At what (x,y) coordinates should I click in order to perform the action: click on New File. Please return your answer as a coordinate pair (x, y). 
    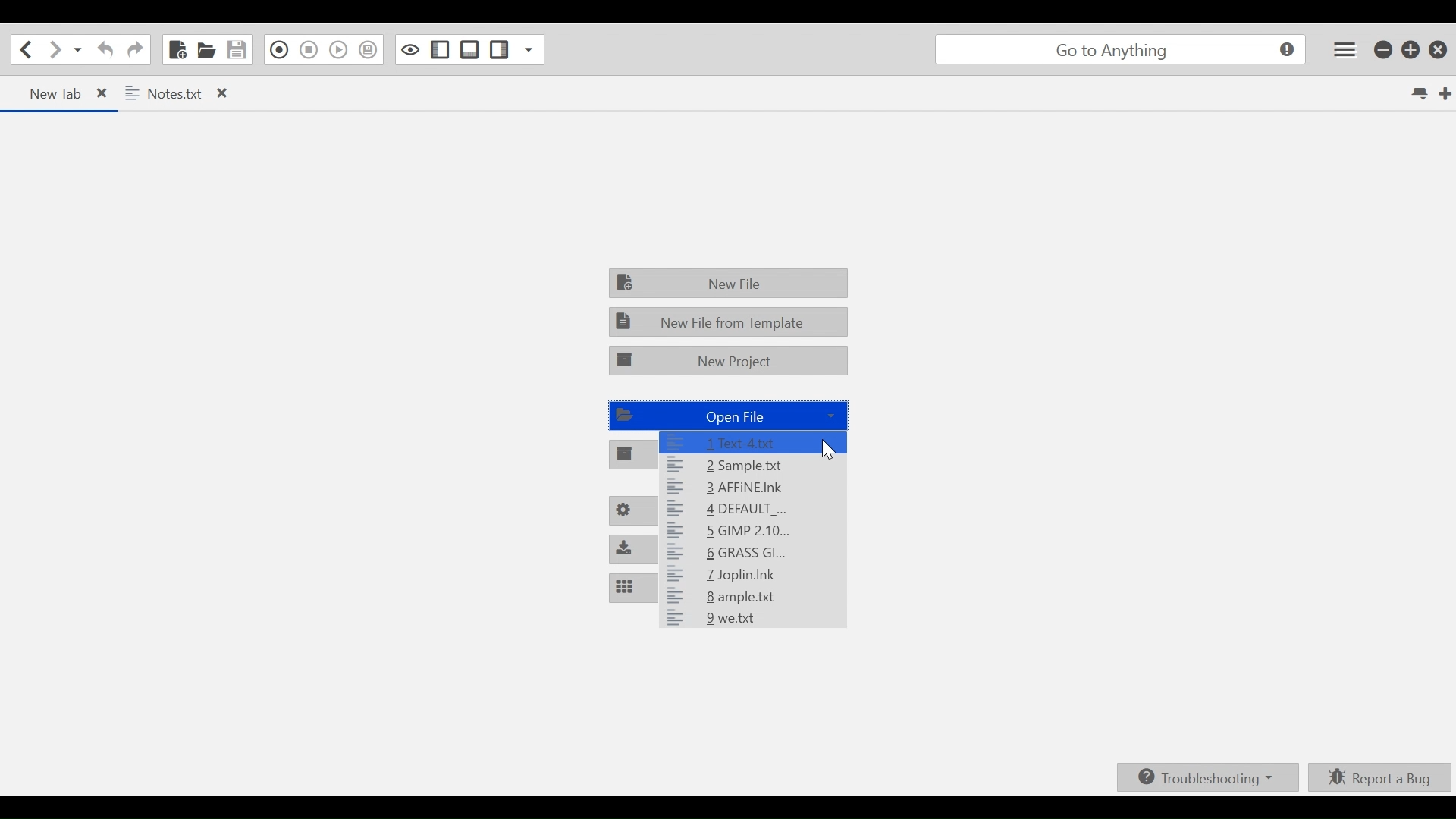
    Looking at the image, I should click on (175, 49).